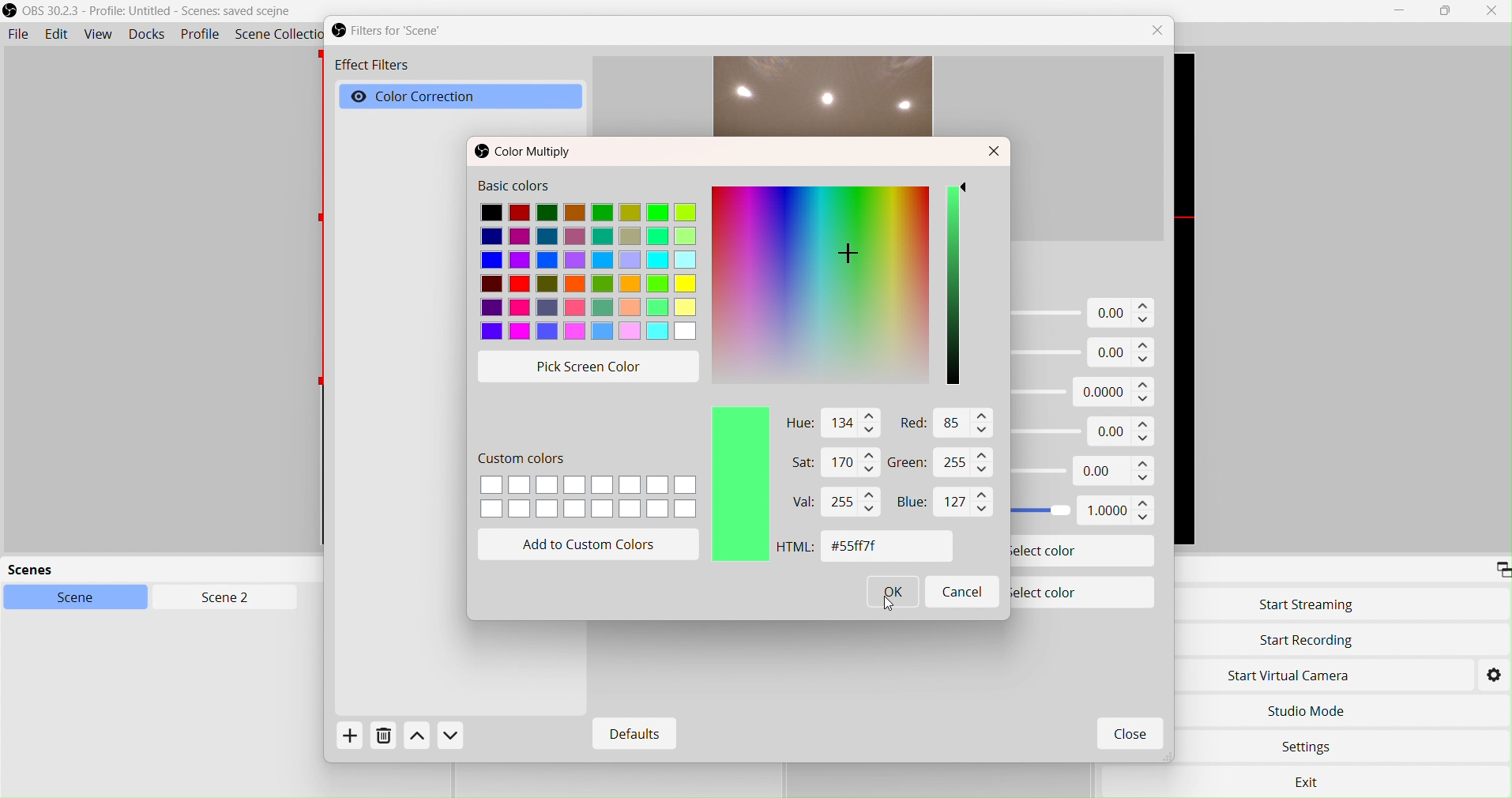 The height and width of the screenshot is (798, 1512). Describe the element at coordinates (1128, 736) in the screenshot. I see `Close` at that location.